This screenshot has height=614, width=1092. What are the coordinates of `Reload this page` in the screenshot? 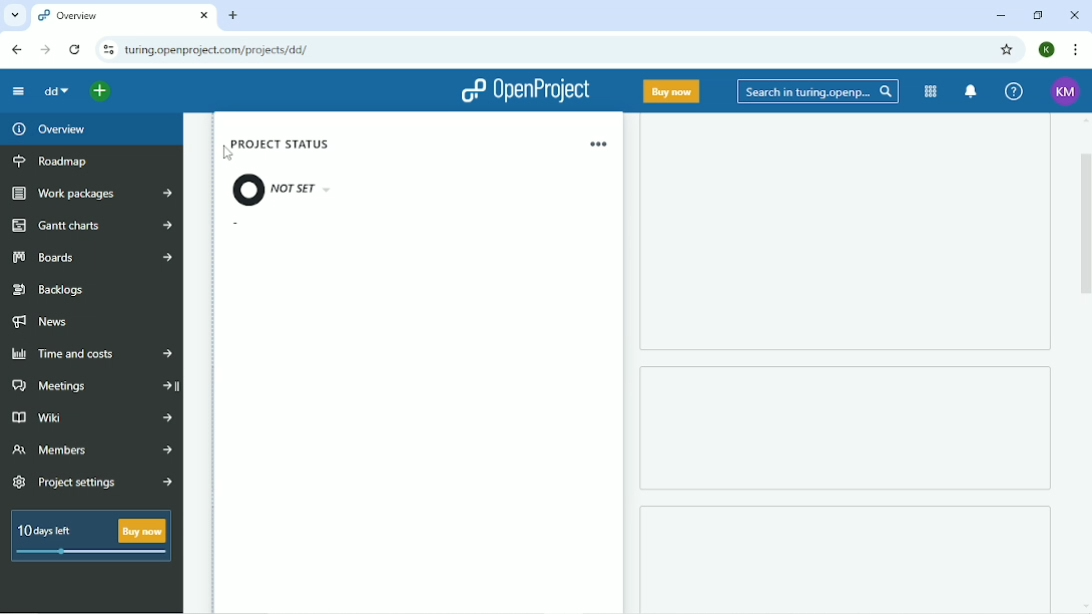 It's located at (76, 50).